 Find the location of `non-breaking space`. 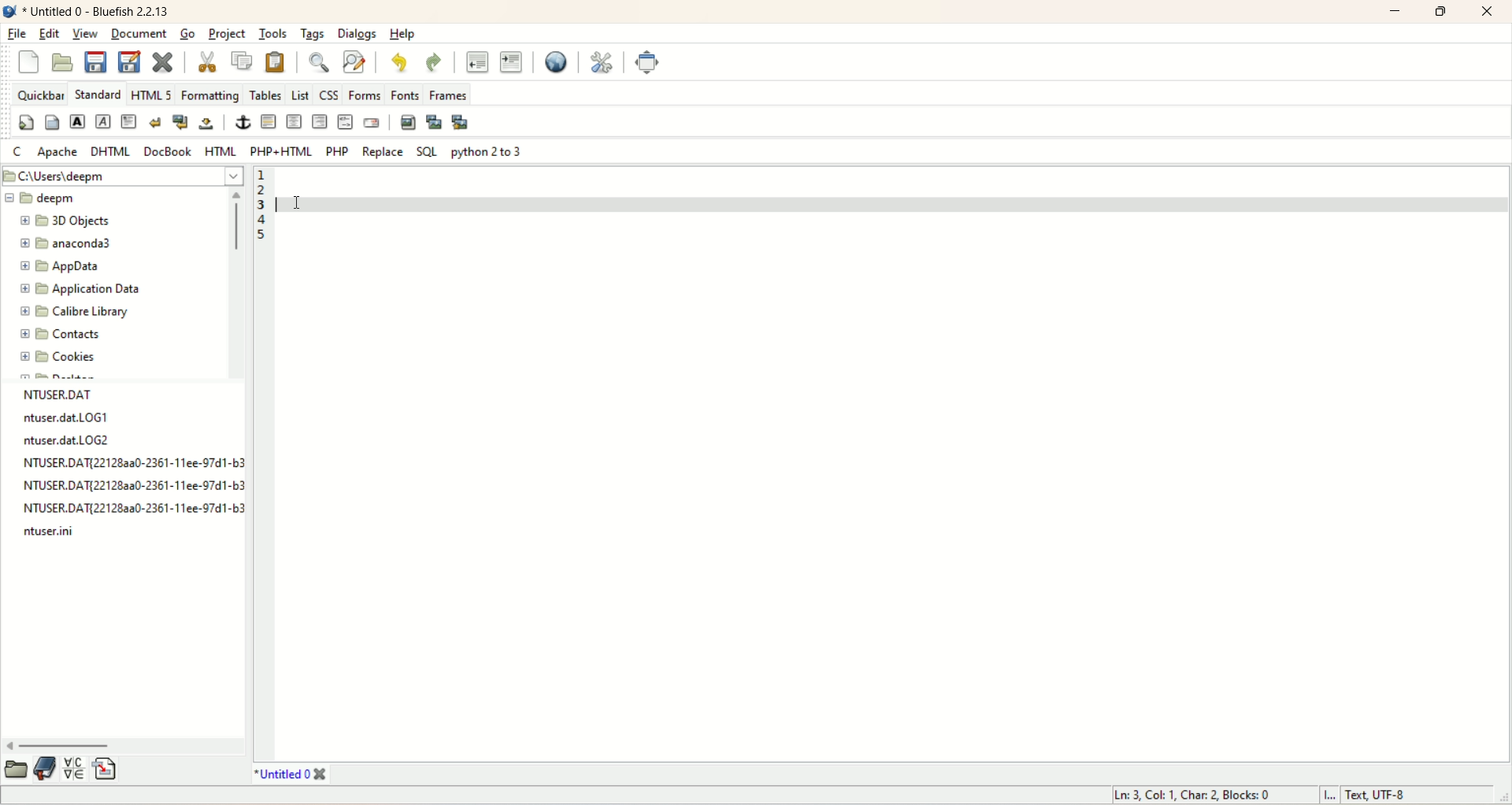

non-breaking space is located at coordinates (207, 126).